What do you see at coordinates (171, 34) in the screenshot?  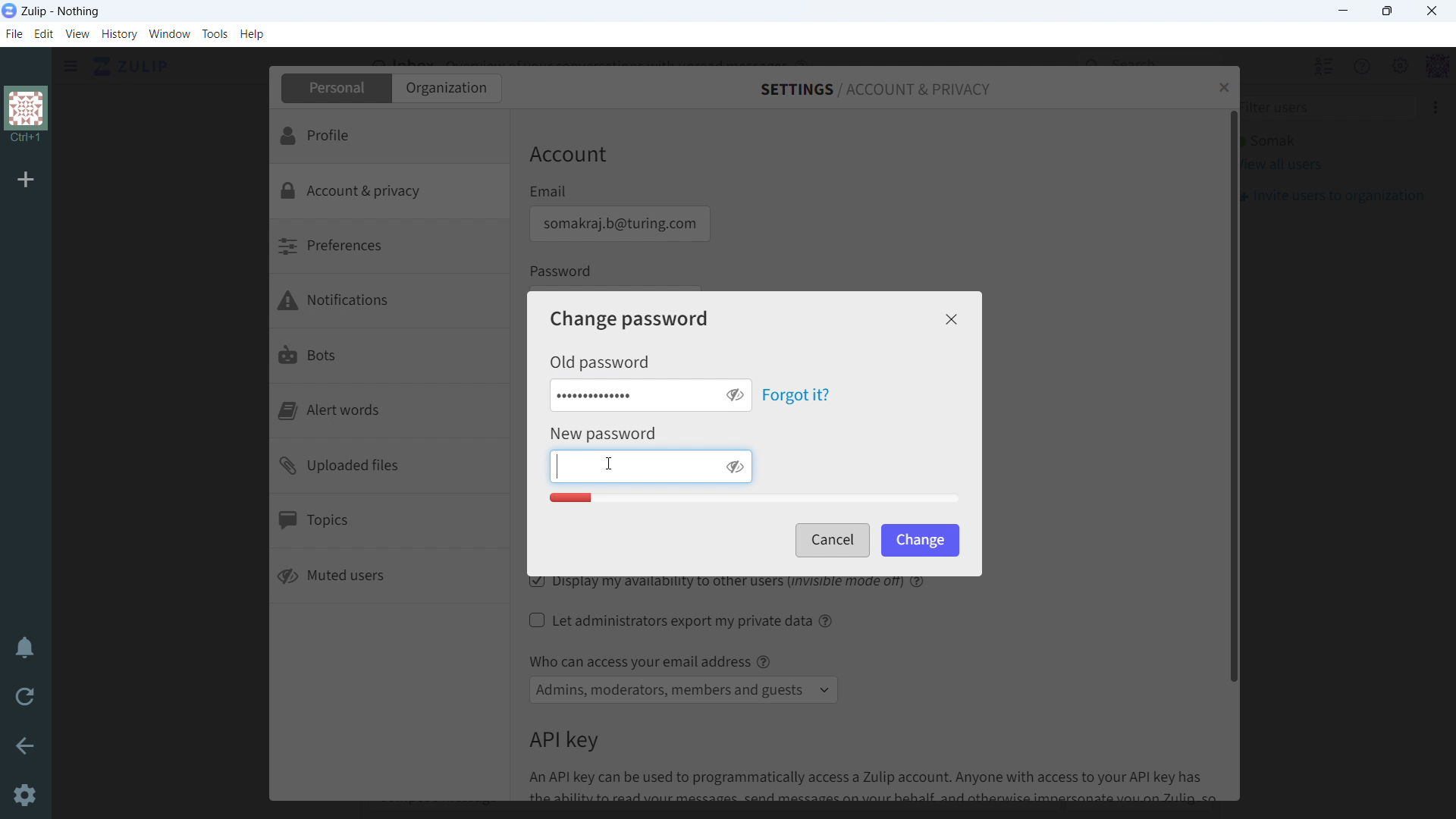 I see `window` at bounding box center [171, 34].